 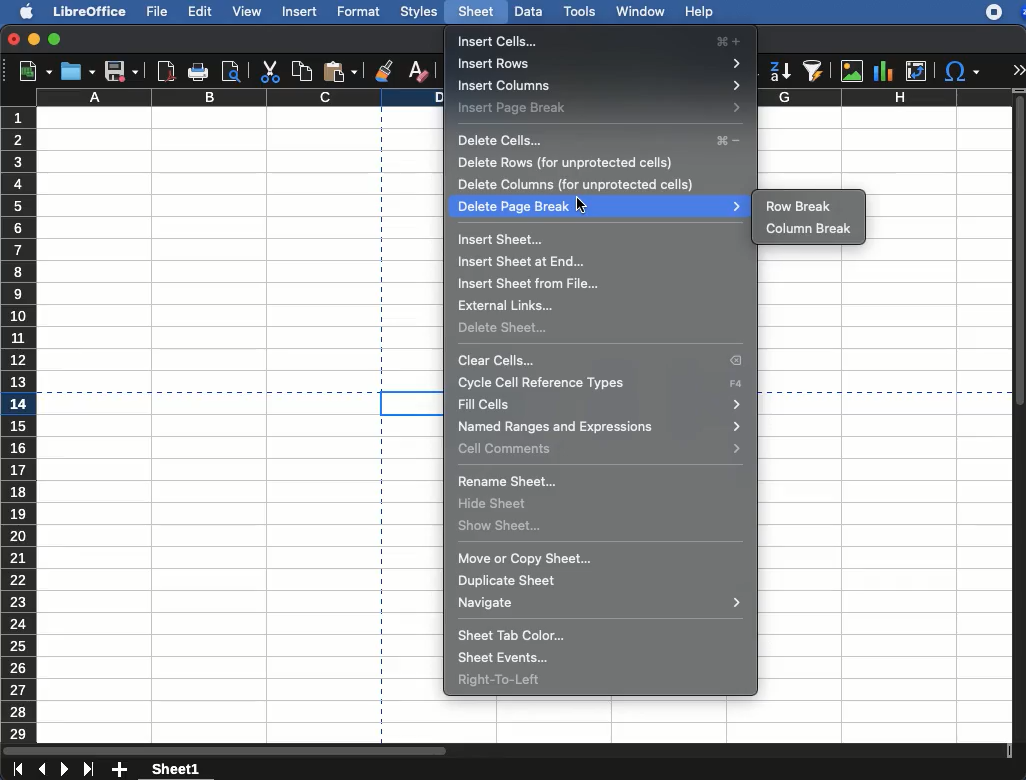 I want to click on named ranges and expressions, so click(x=600, y=427).